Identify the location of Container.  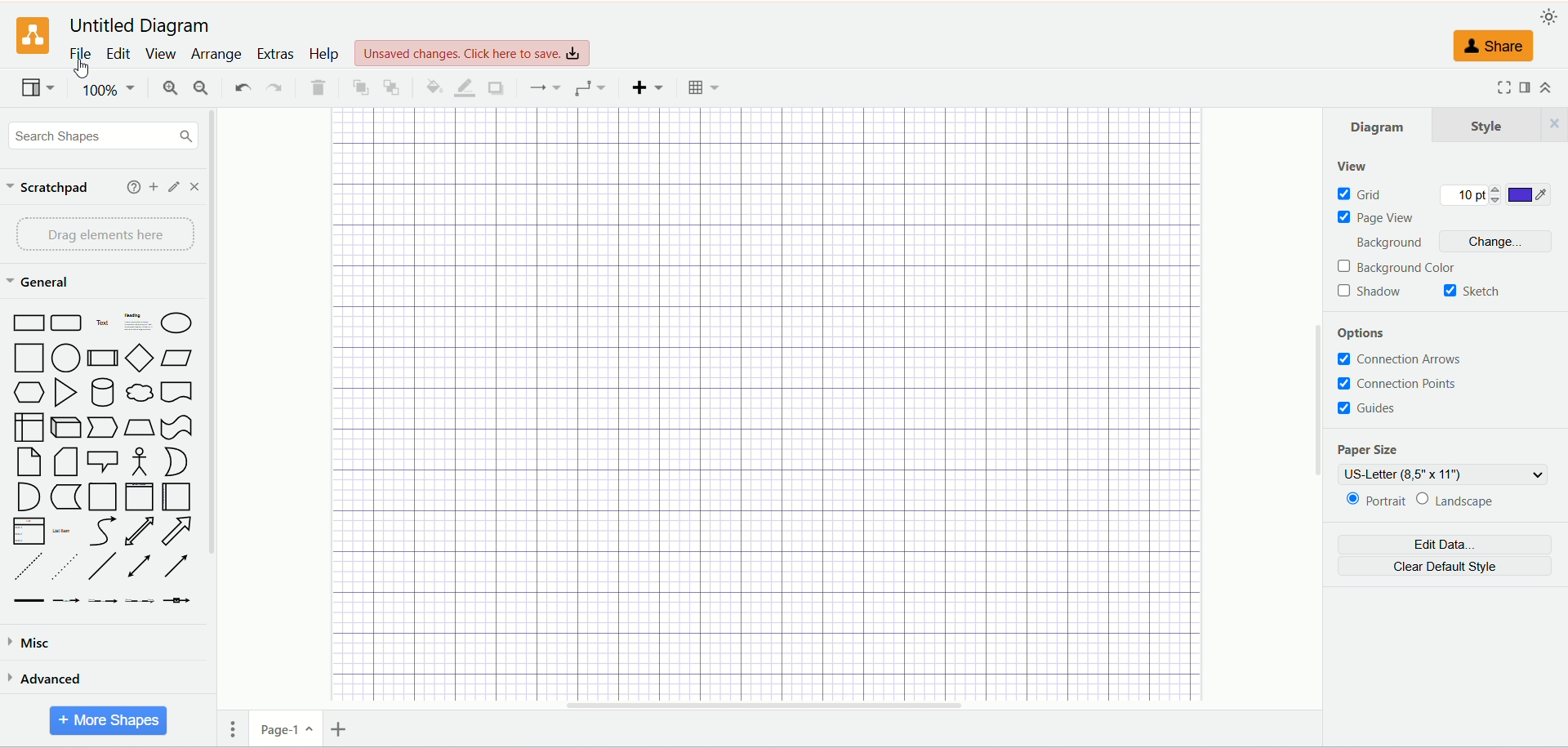
(103, 498).